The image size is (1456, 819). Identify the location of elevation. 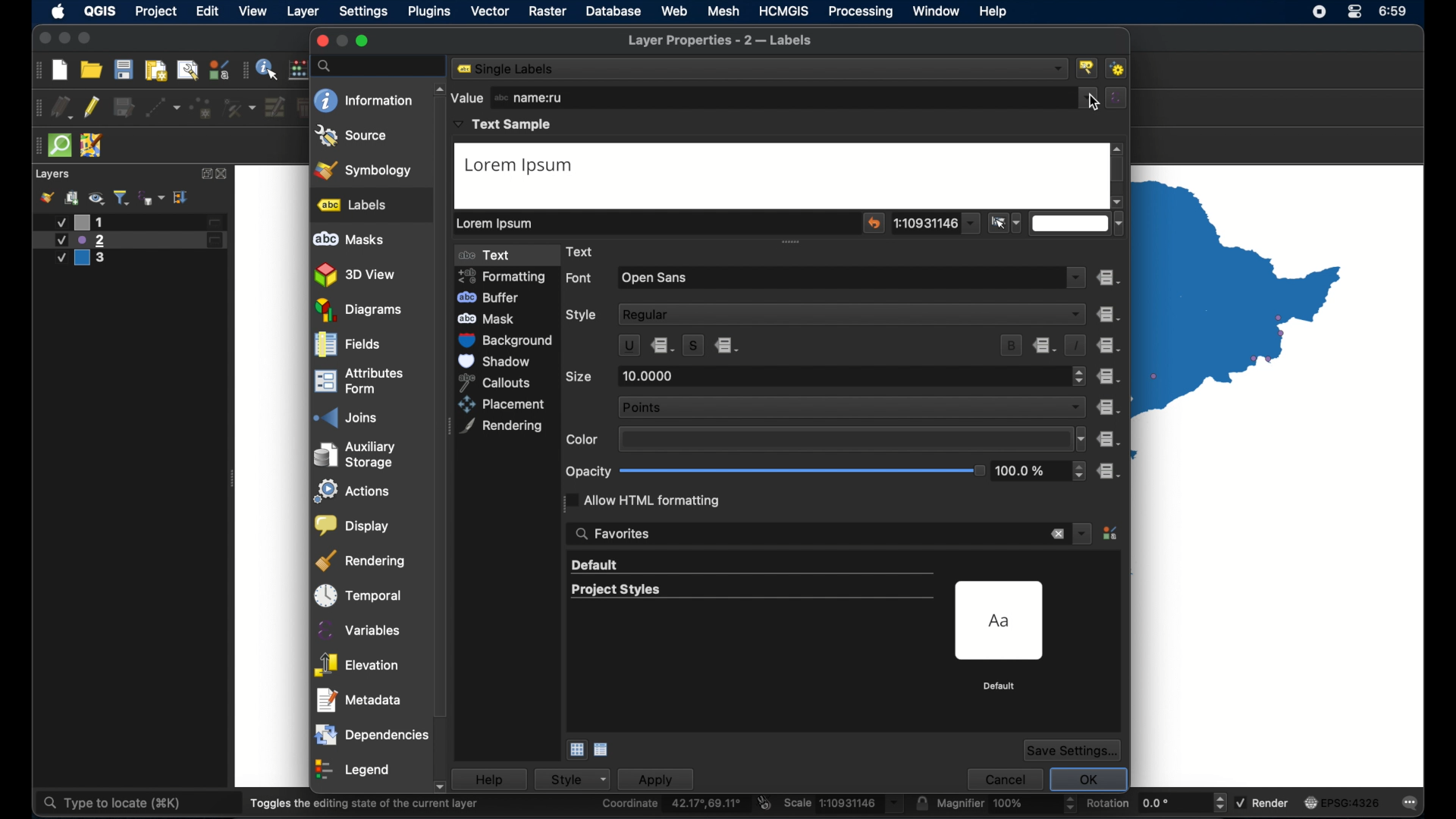
(357, 661).